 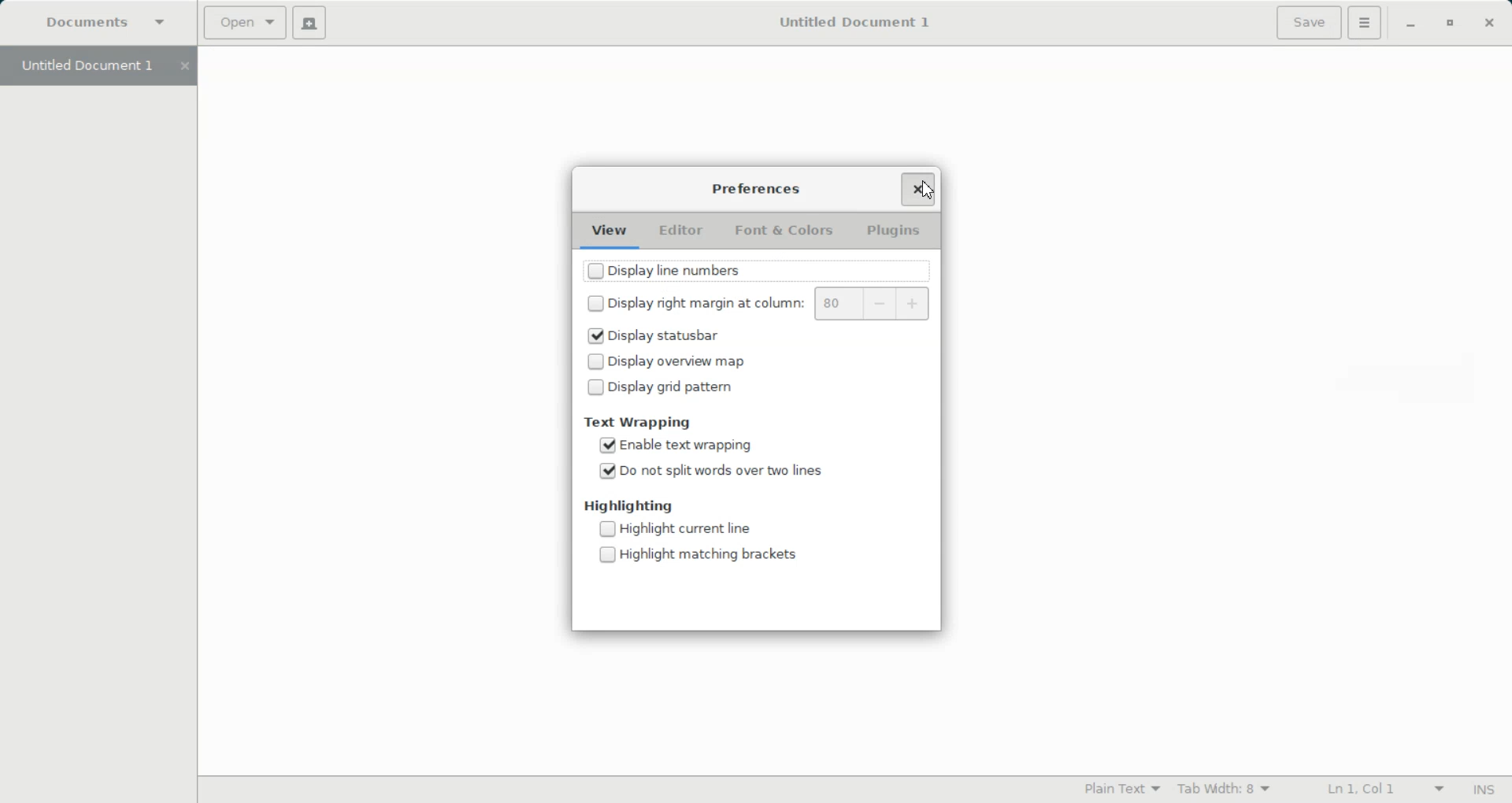 What do you see at coordinates (1483, 791) in the screenshot?
I see `Insert` at bounding box center [1483, 791].